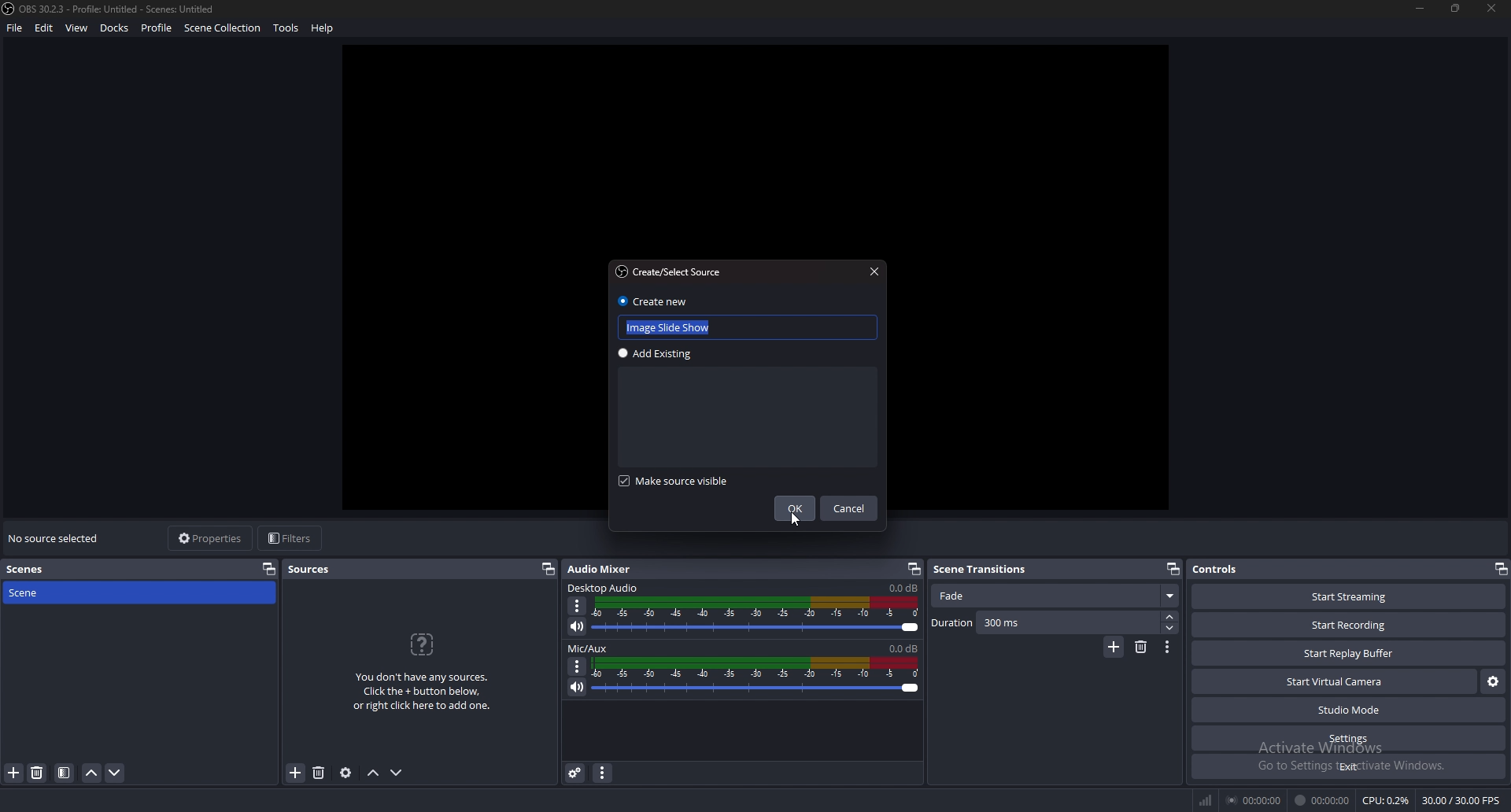 The image size is (1511, 812). What do you see at coordinates (324, 28) in the screenshot?
I see `help` at bounding box center [324, 28].